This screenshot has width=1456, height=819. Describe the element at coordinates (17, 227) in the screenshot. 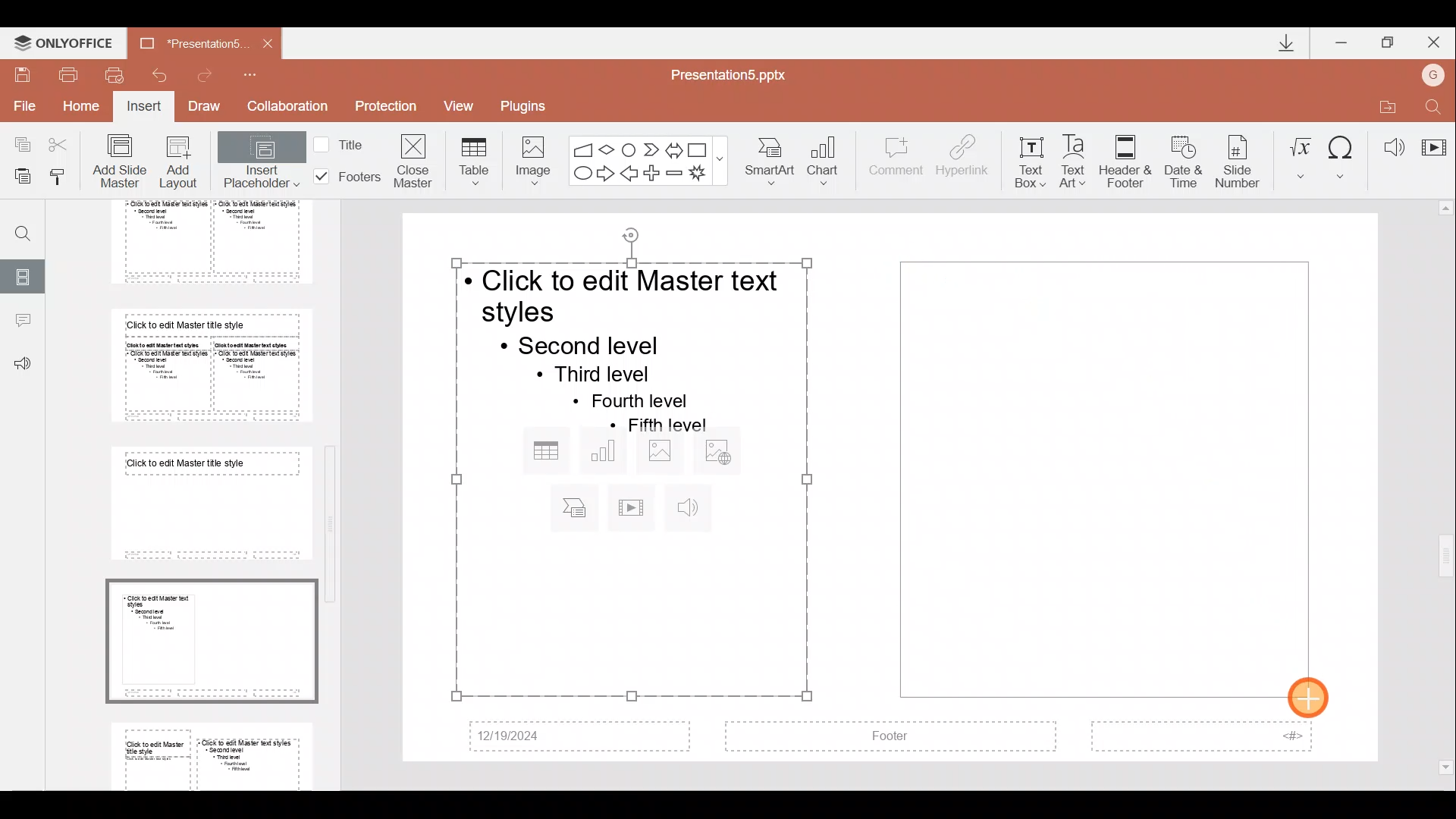

I see `Find` at that location.